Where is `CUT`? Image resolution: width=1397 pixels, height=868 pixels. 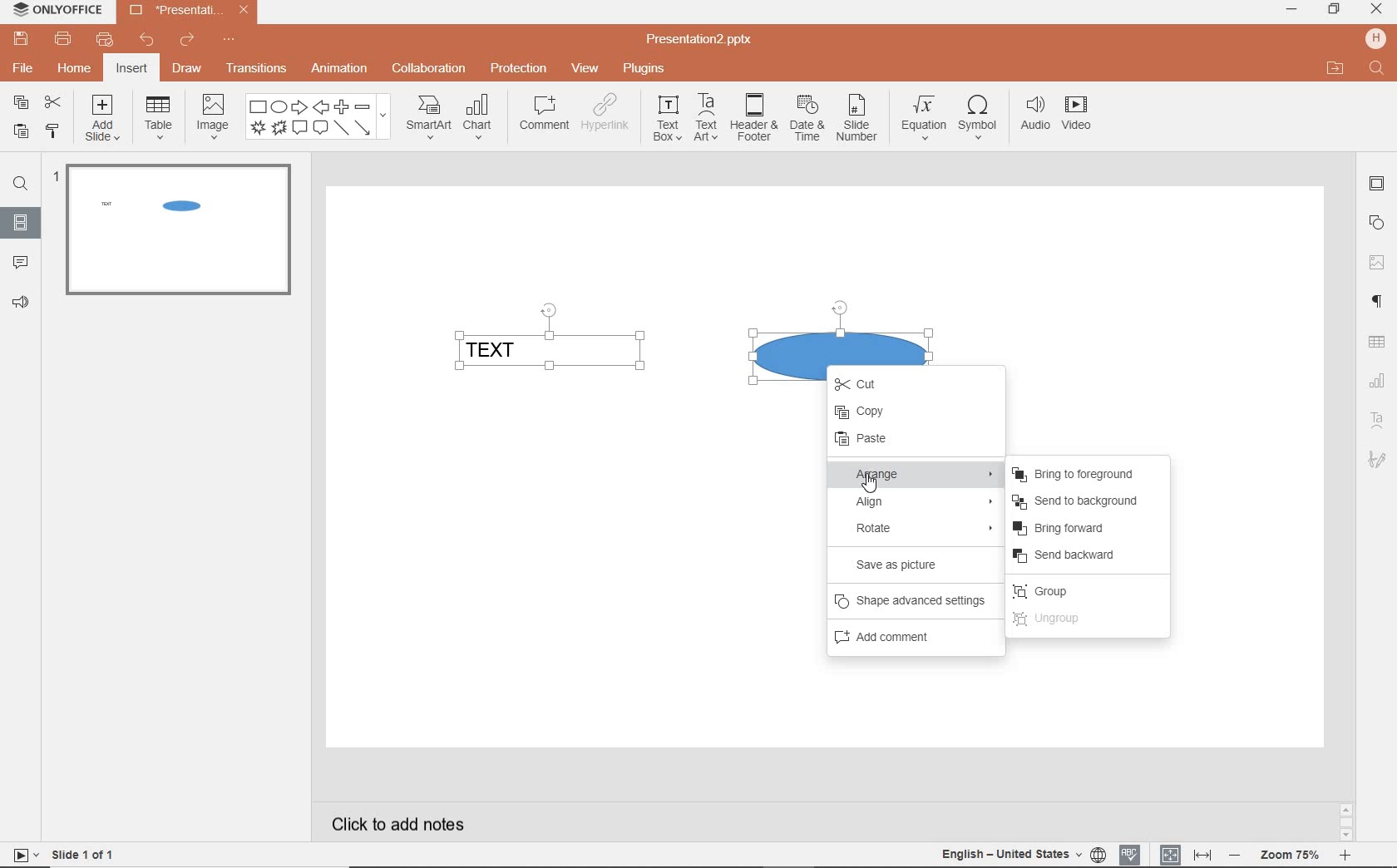 CUT is located at coordinates (867, 382).